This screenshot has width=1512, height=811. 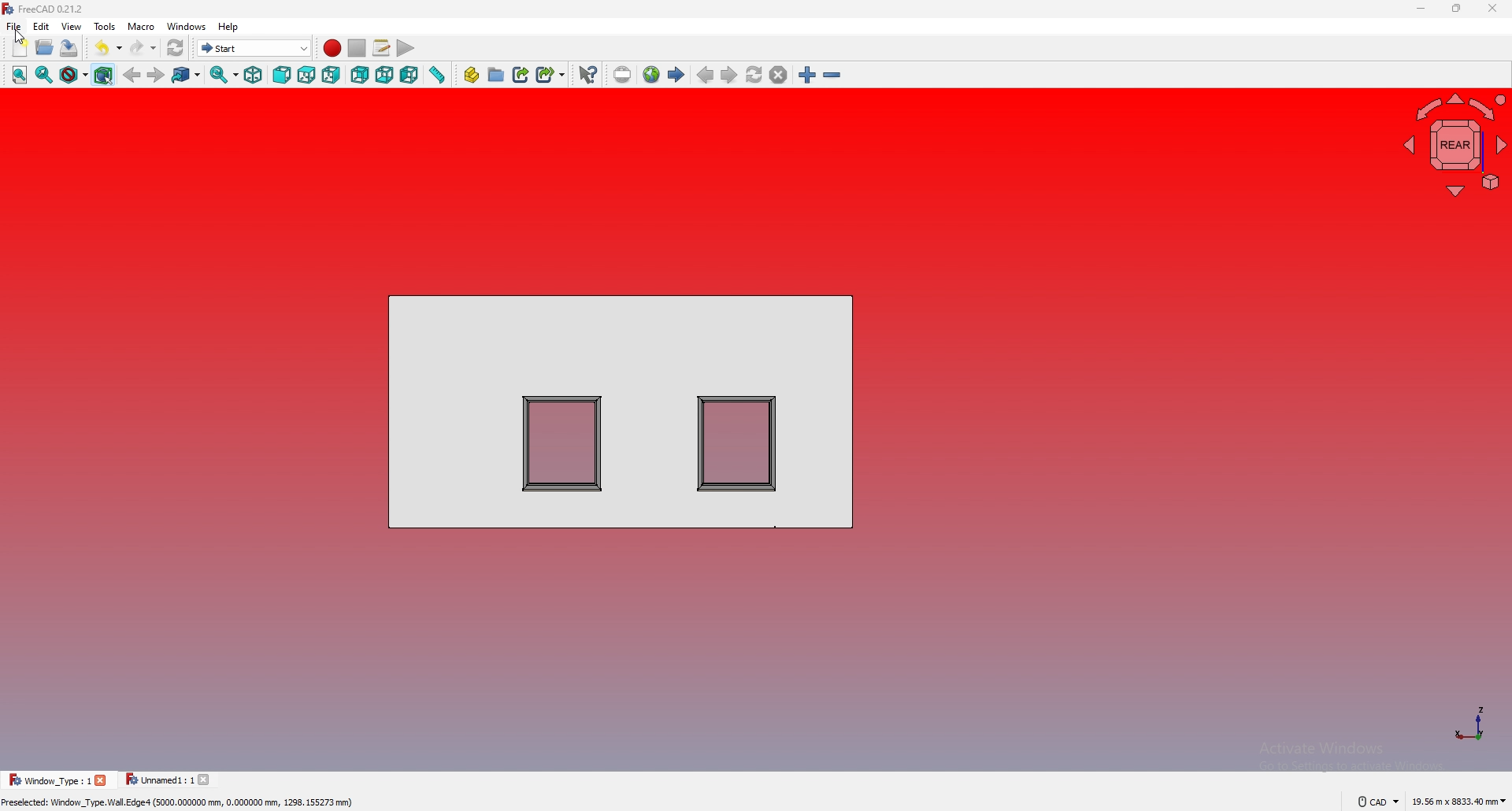 I want to click on sync view, so click(x=224, y=76).